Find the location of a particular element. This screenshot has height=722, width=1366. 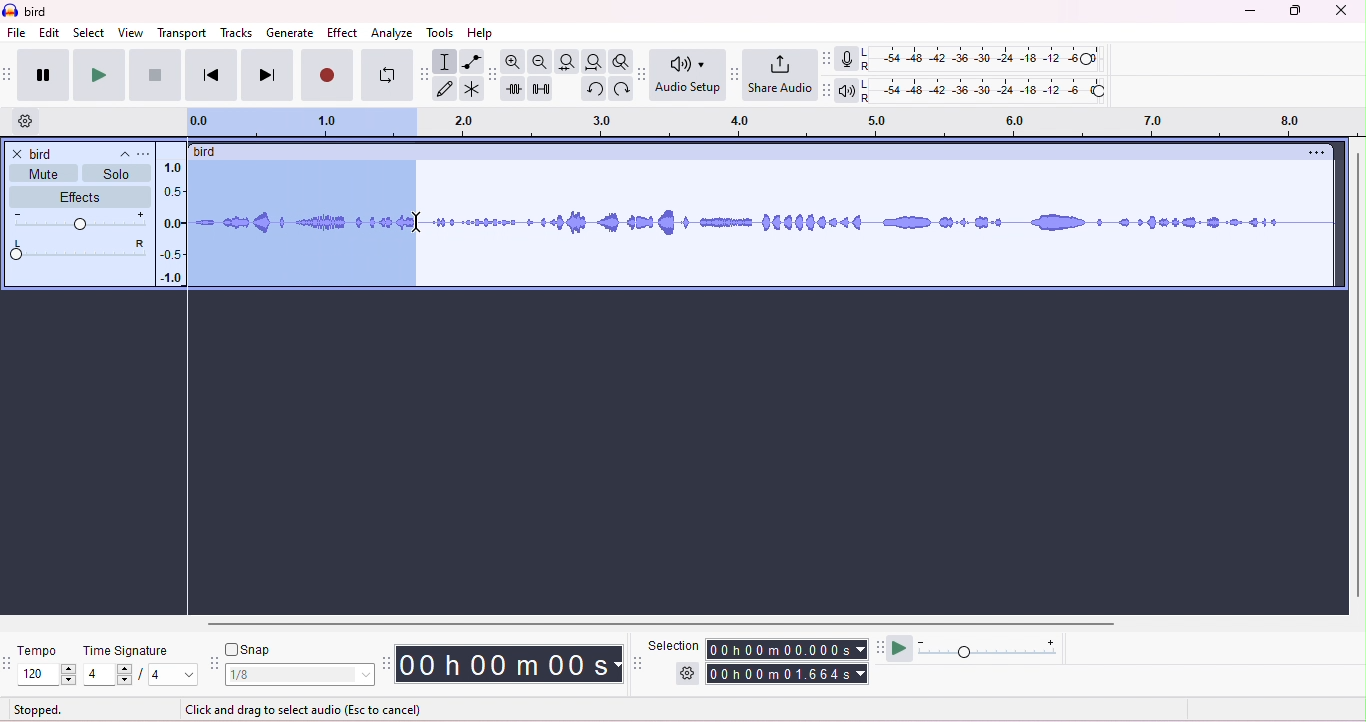

time signature toolbar is located at coordinates (9, 659).